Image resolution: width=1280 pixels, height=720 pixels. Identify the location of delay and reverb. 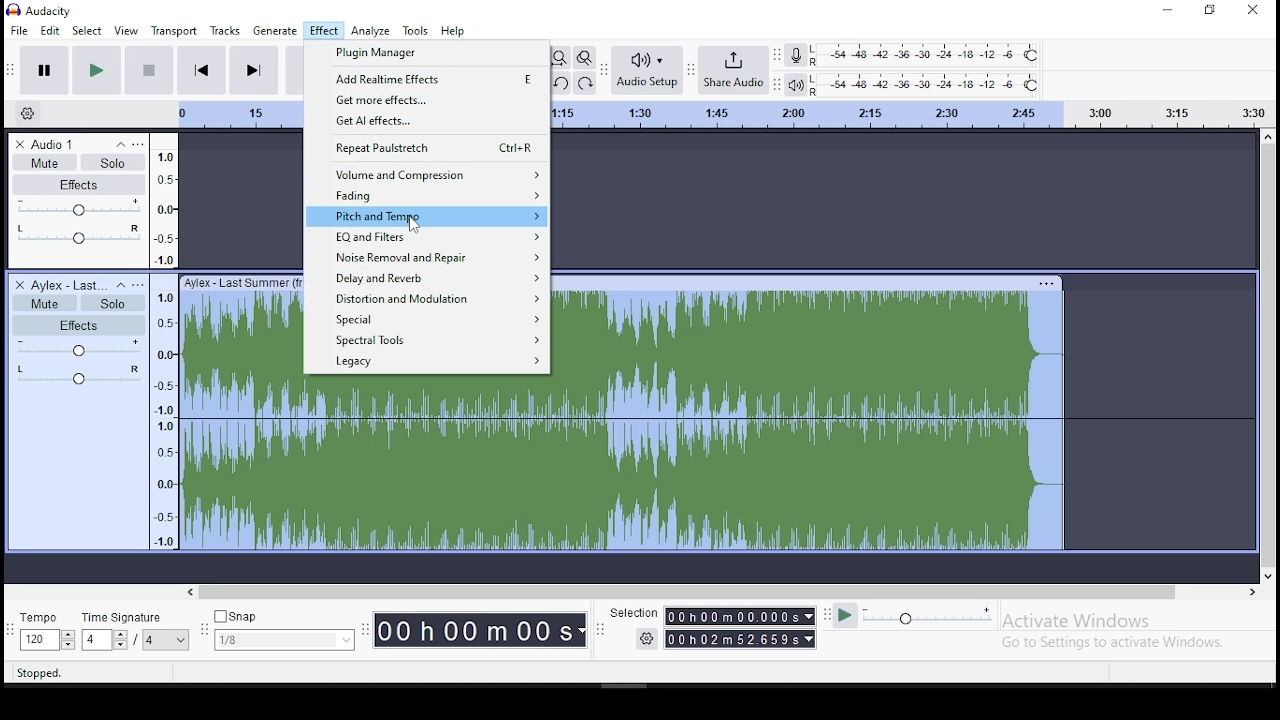
(427, 279).